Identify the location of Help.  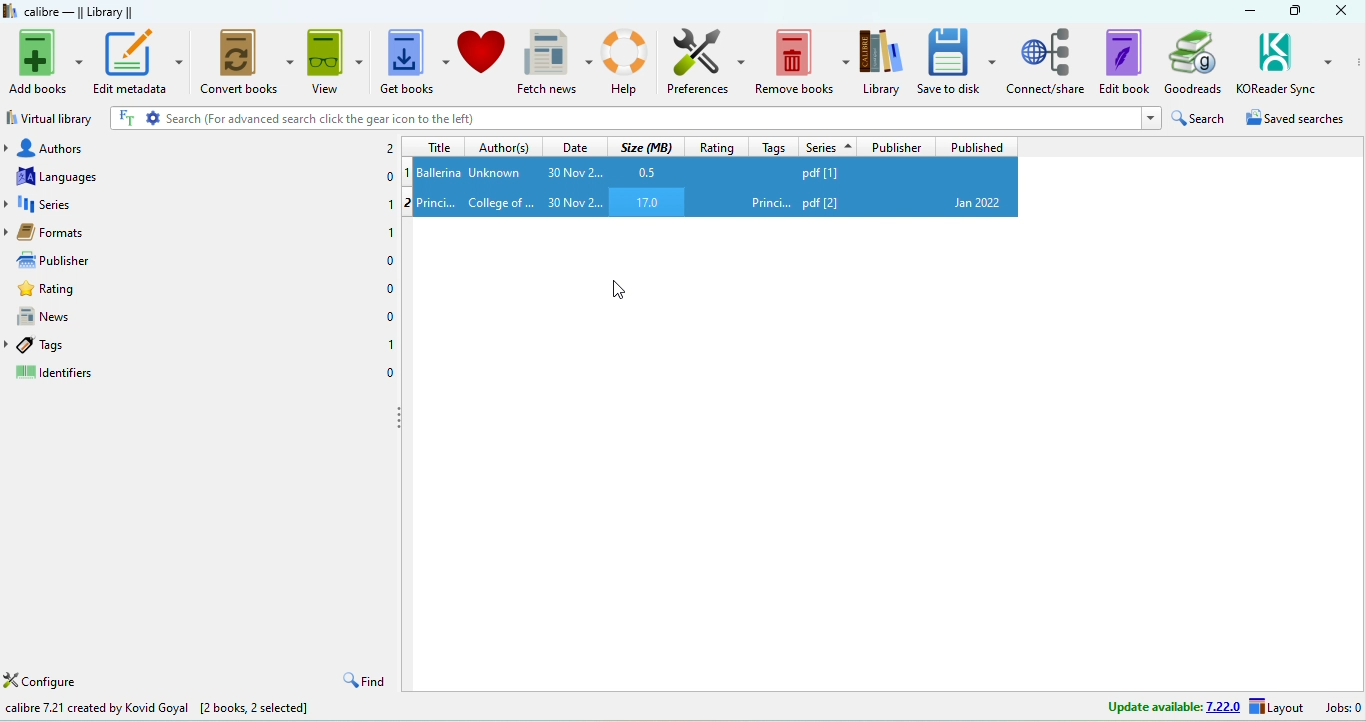
(628, 61).